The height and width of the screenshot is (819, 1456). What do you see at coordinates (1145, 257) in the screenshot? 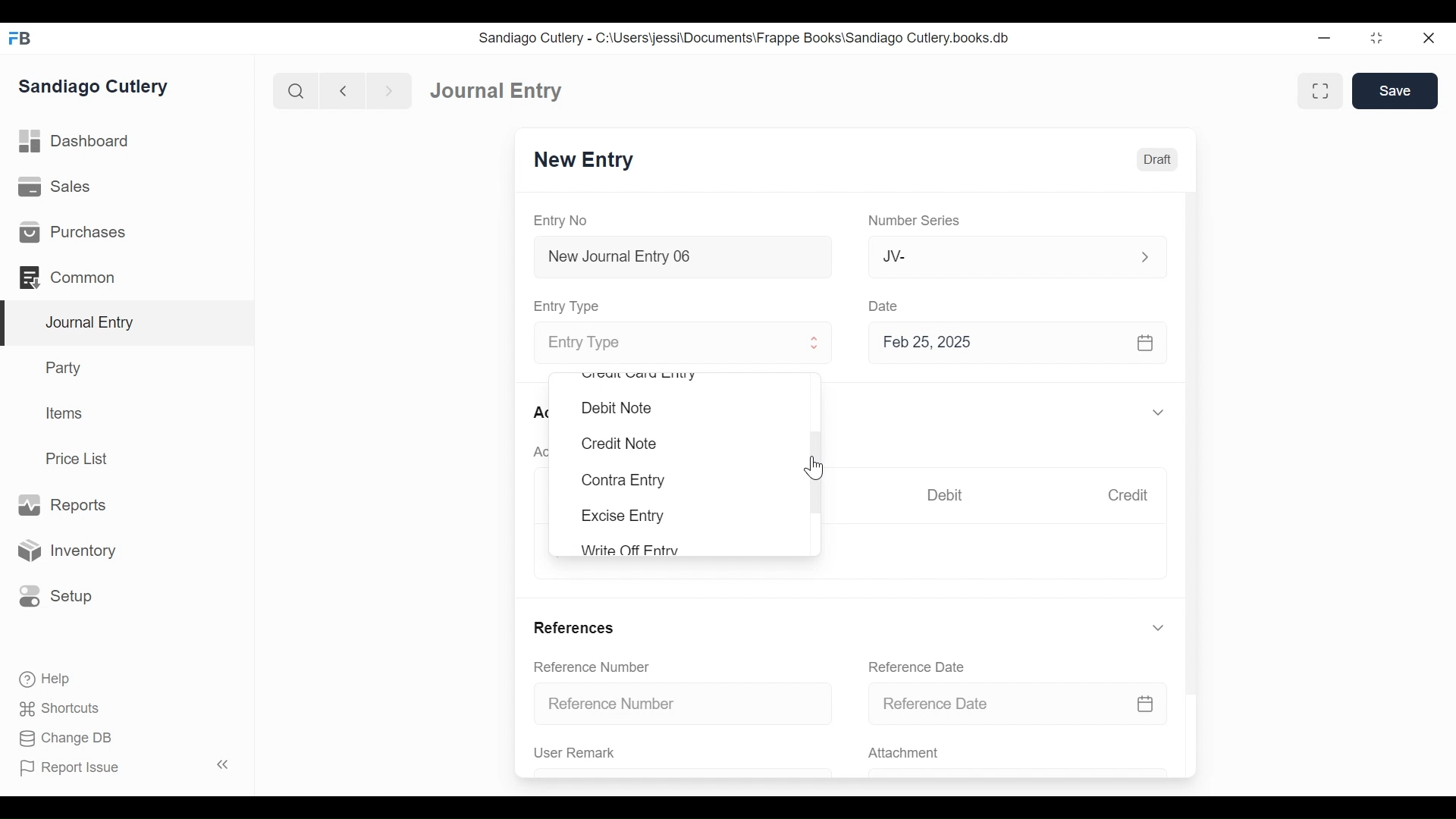
I see `Expand` at bounding box center [1145, 257].